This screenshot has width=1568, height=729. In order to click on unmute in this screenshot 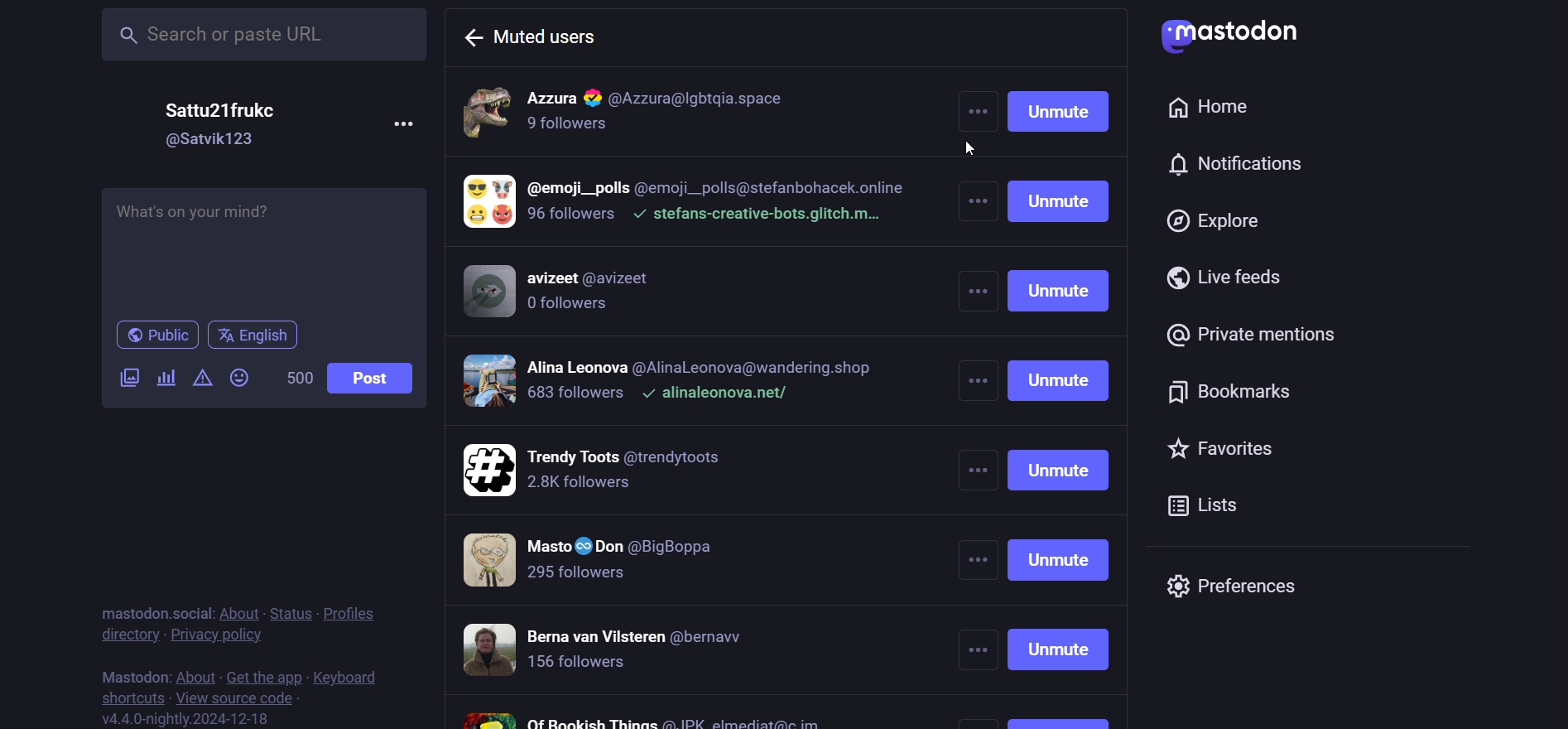, I will do `click(1061, 113)`.